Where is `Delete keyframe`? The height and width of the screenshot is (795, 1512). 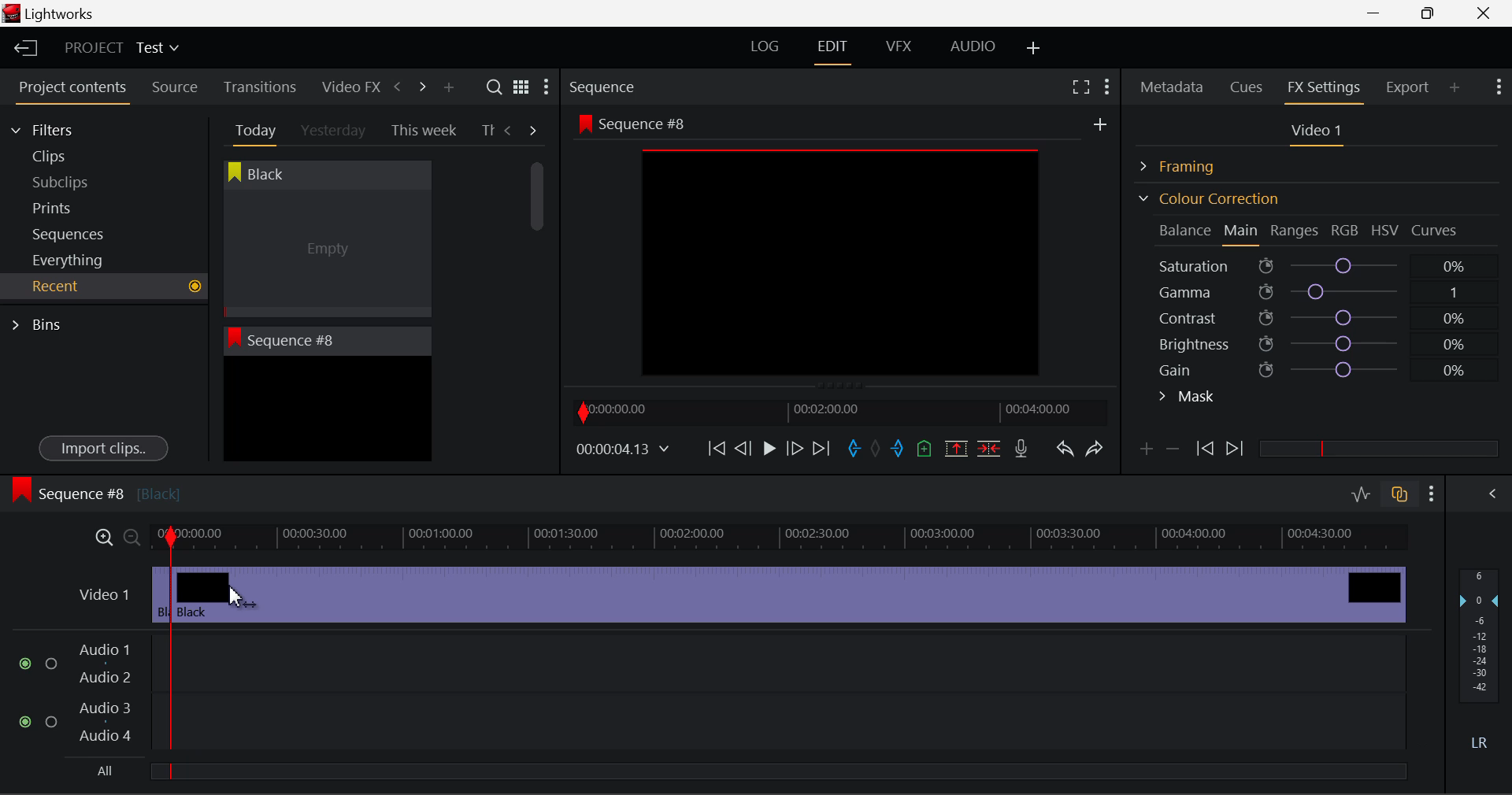
Delete keyframe is located at coordinates (1173, 452).